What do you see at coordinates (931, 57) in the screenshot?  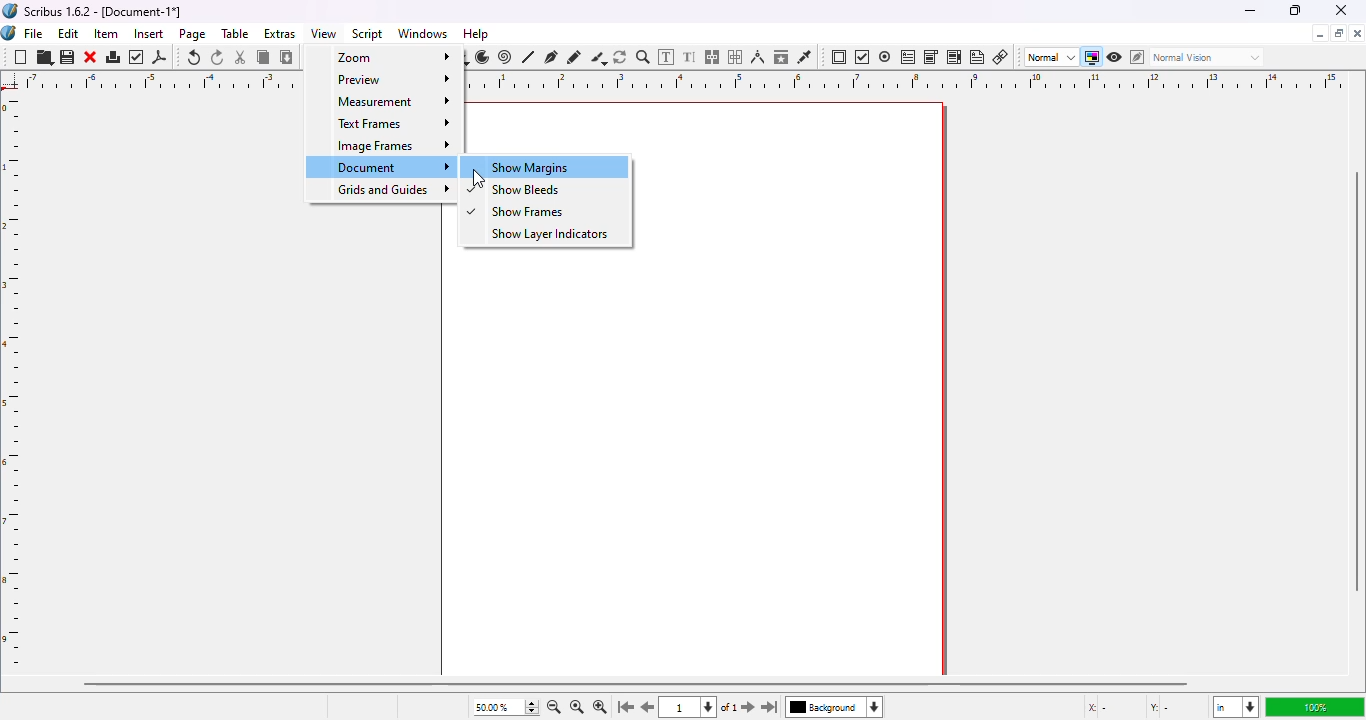 I see `PDF combo box` at bounding box center [931, 57].